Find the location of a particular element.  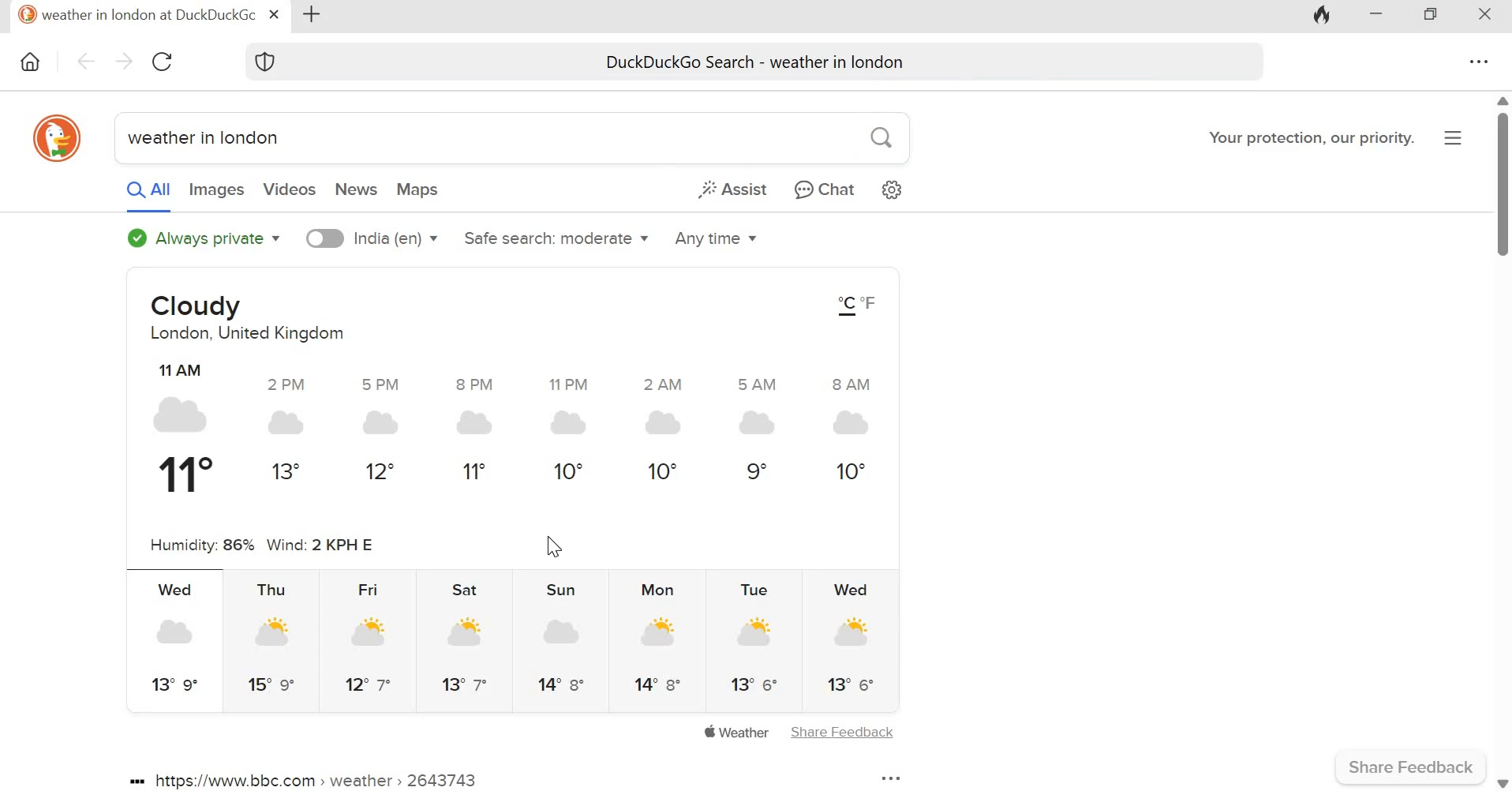

Reload this page is located at coordinates (161, 62).